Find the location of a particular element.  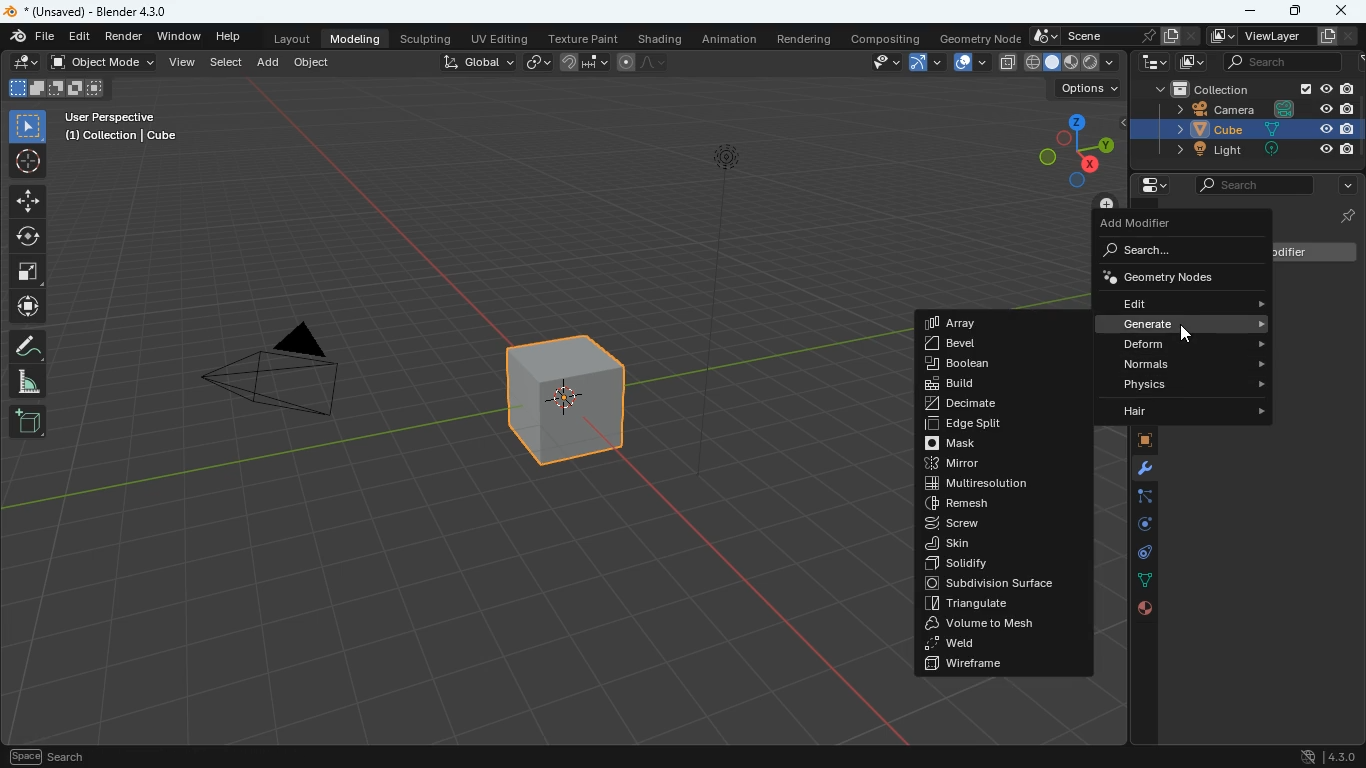

draw is located at coordinates (30, 345).